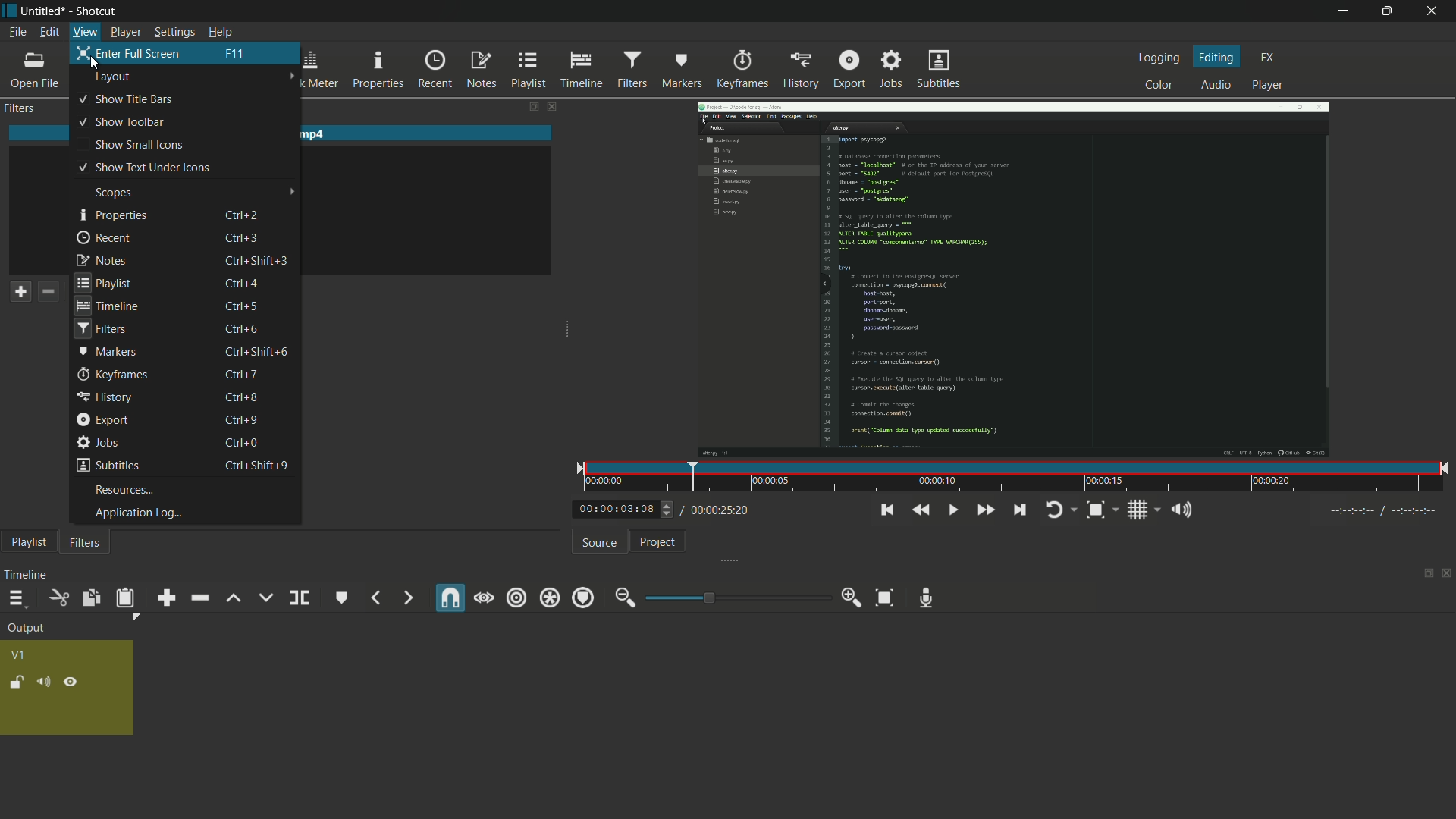 The image size is (1456, 819). What do you see at coordinates (104, 467) in the screenshot?
I see `subtitles` at bounding box center [104, 467].